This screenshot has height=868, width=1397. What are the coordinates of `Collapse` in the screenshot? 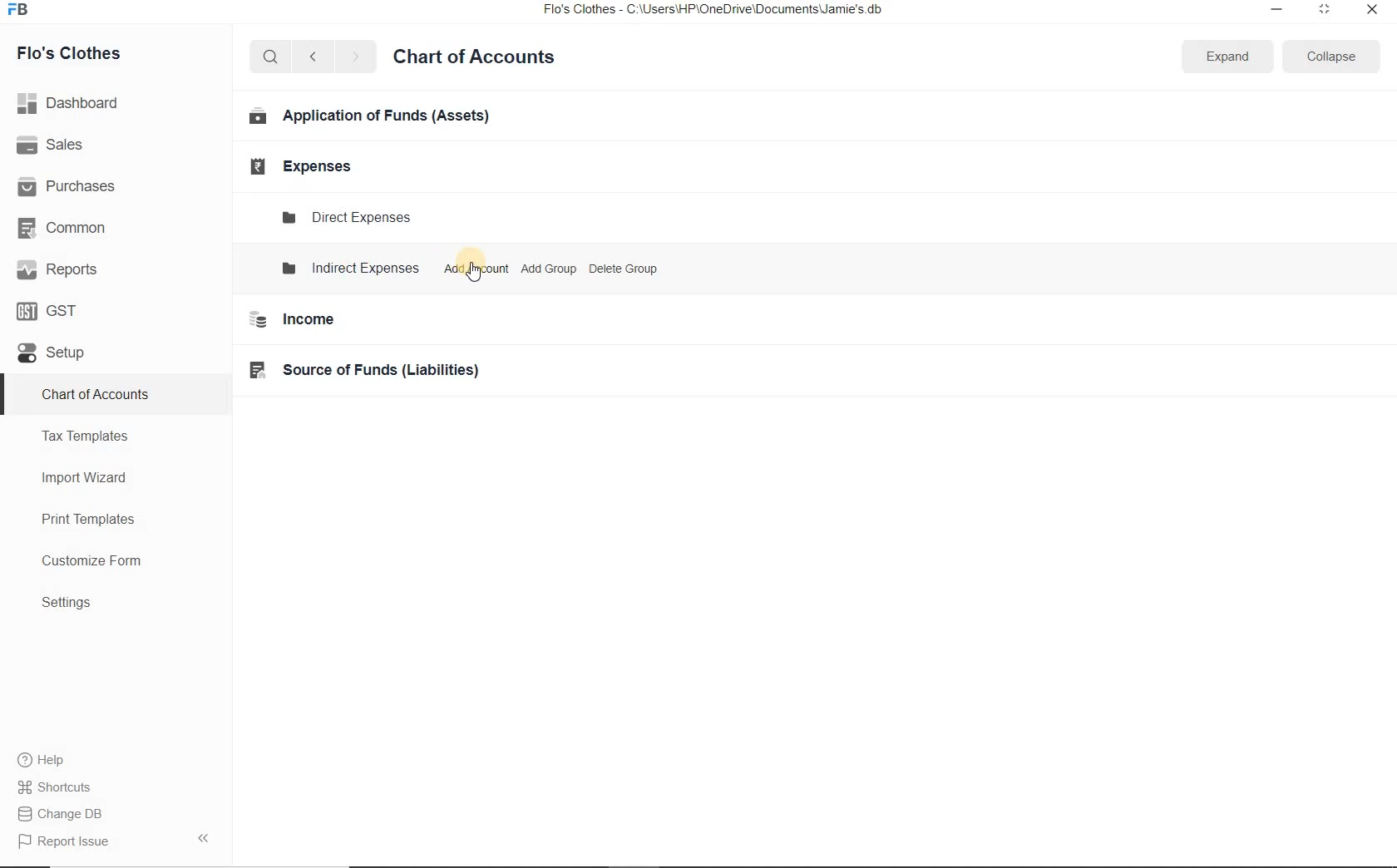 It's located at (1331, 56).